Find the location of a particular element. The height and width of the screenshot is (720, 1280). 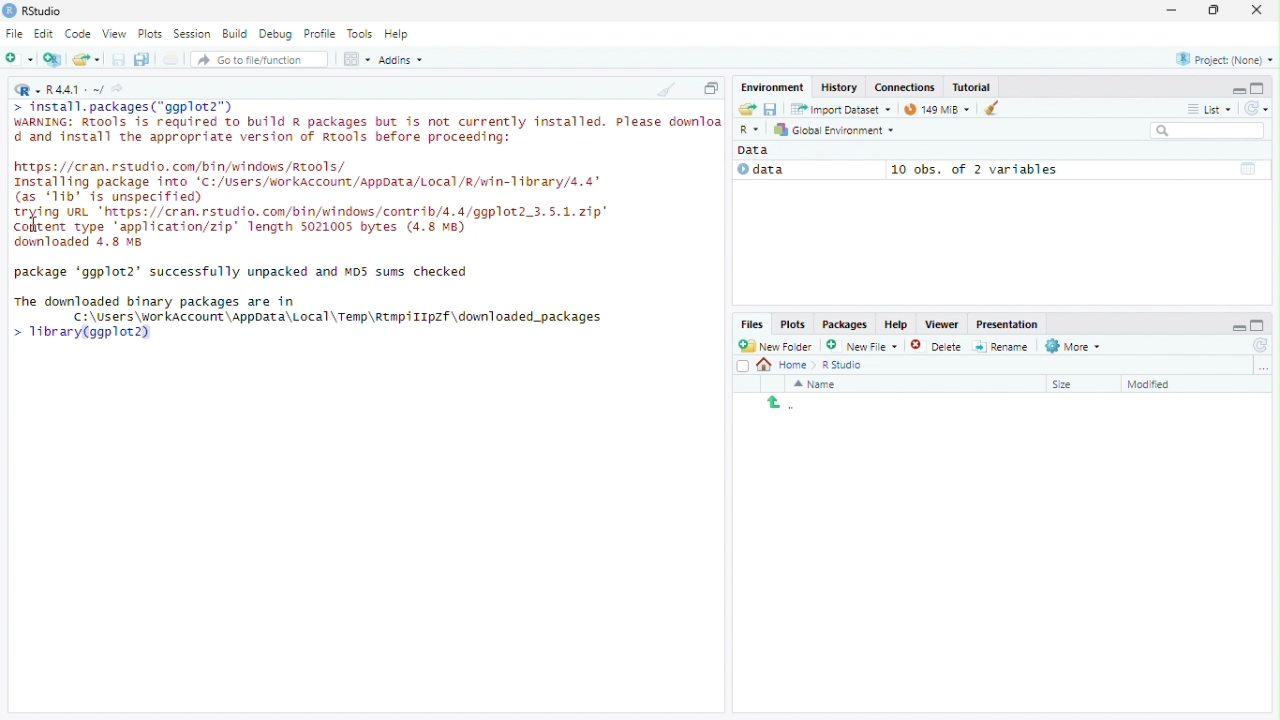

minimize is located at coordinates (1237, 323).